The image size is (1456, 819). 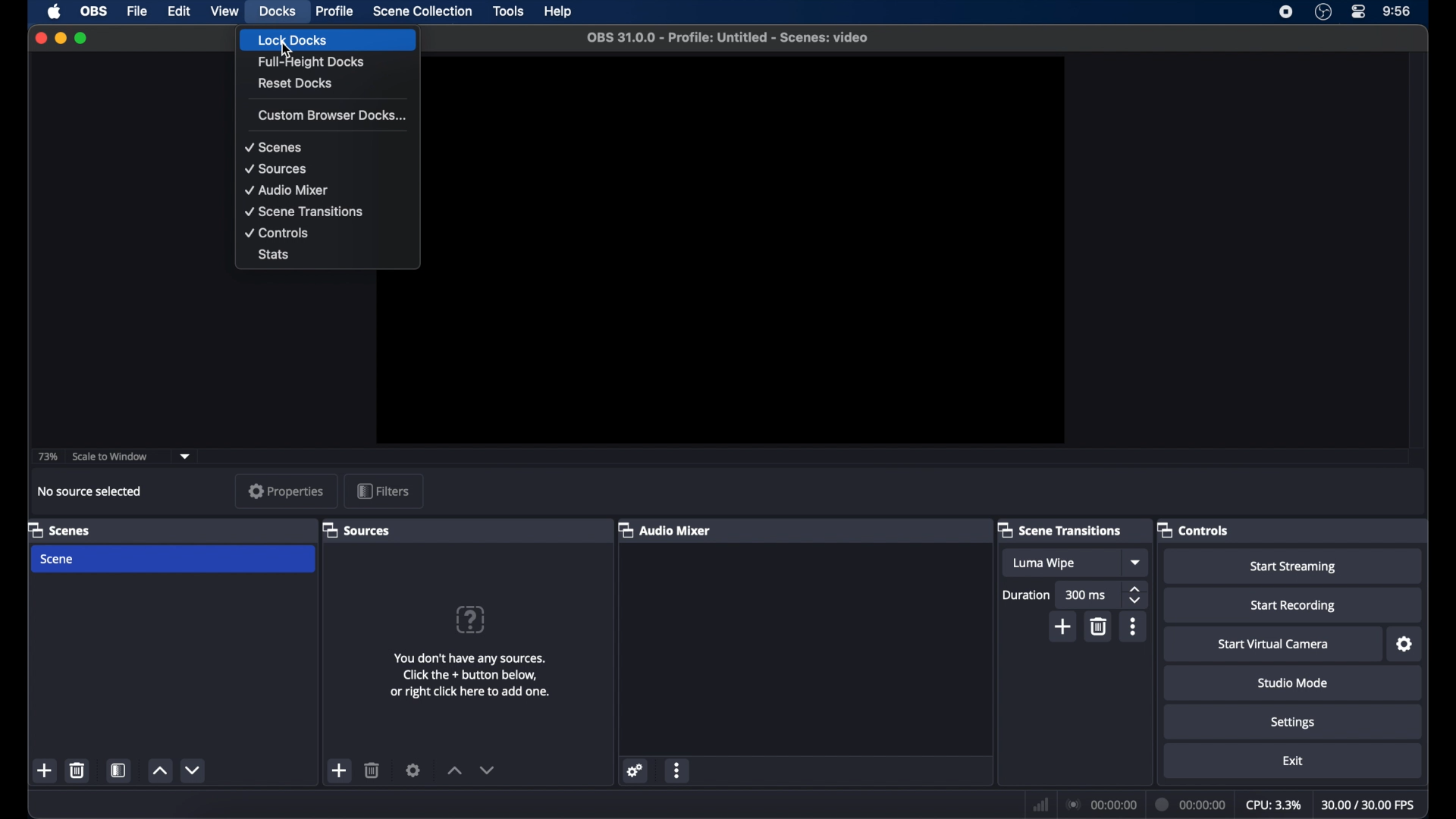 I want to click on 73%, so click(x=47, y=457).